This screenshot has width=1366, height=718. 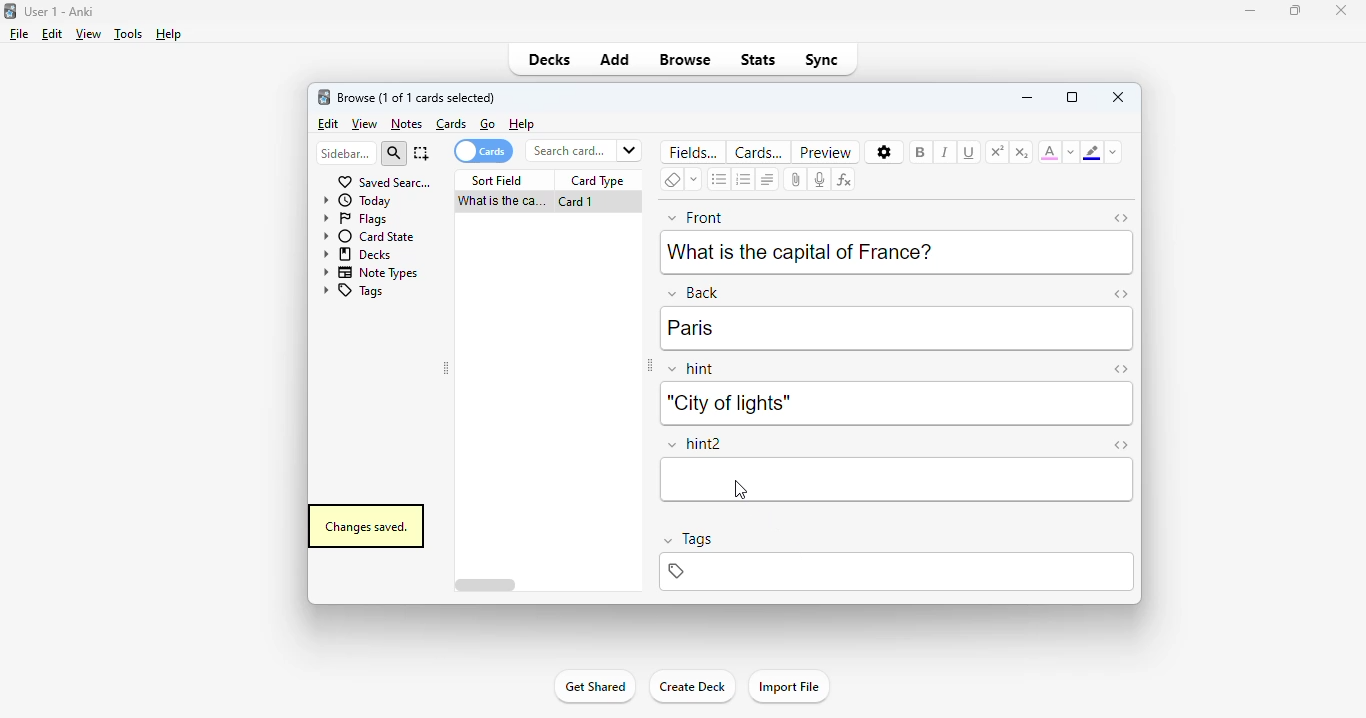 What do you see at coordinates (1121, 293) in the screenshot?
I see `toggle HTML editor` at bounding box center [1121, 293].